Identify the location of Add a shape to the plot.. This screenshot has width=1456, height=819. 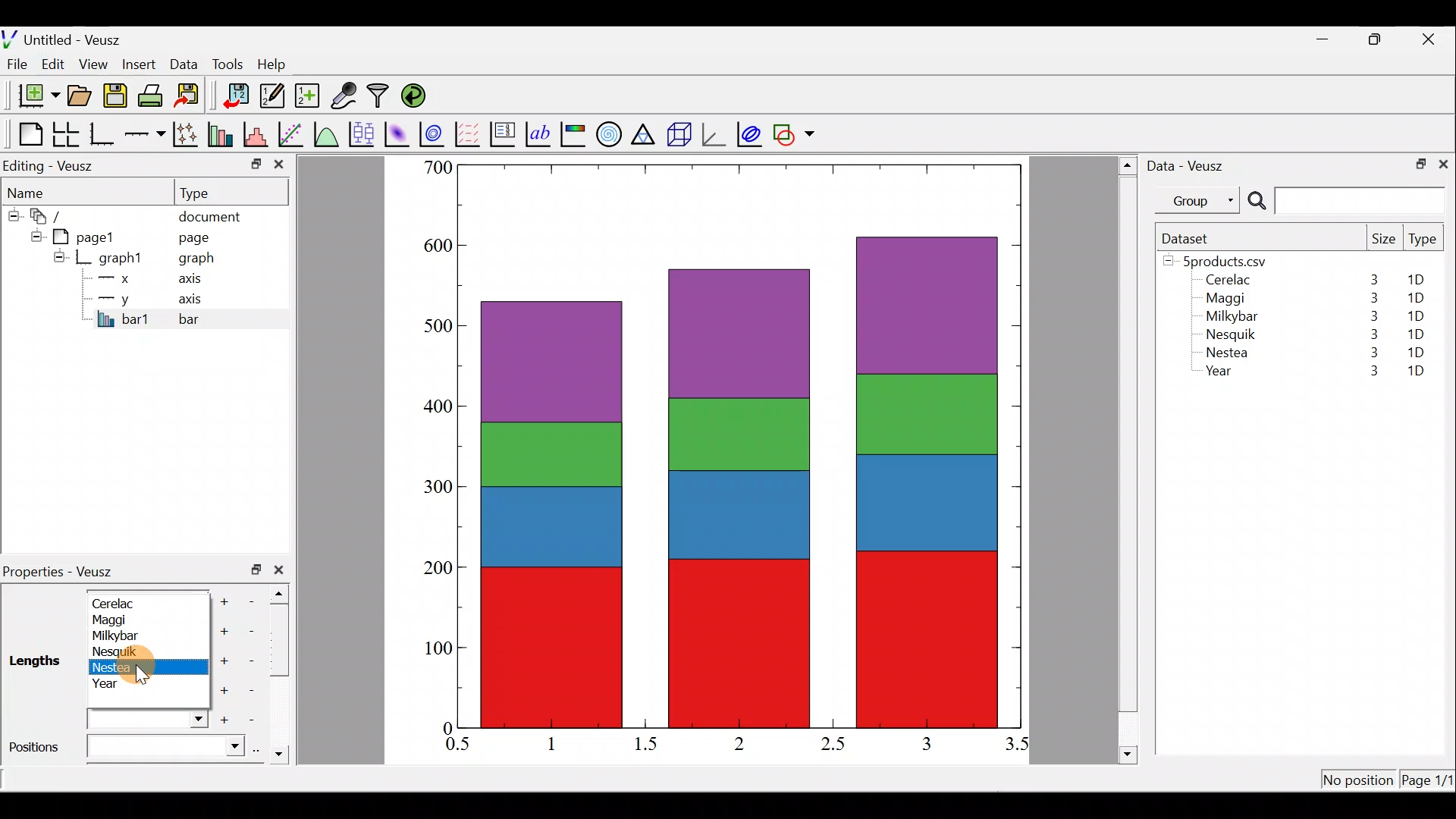
(795, 132).